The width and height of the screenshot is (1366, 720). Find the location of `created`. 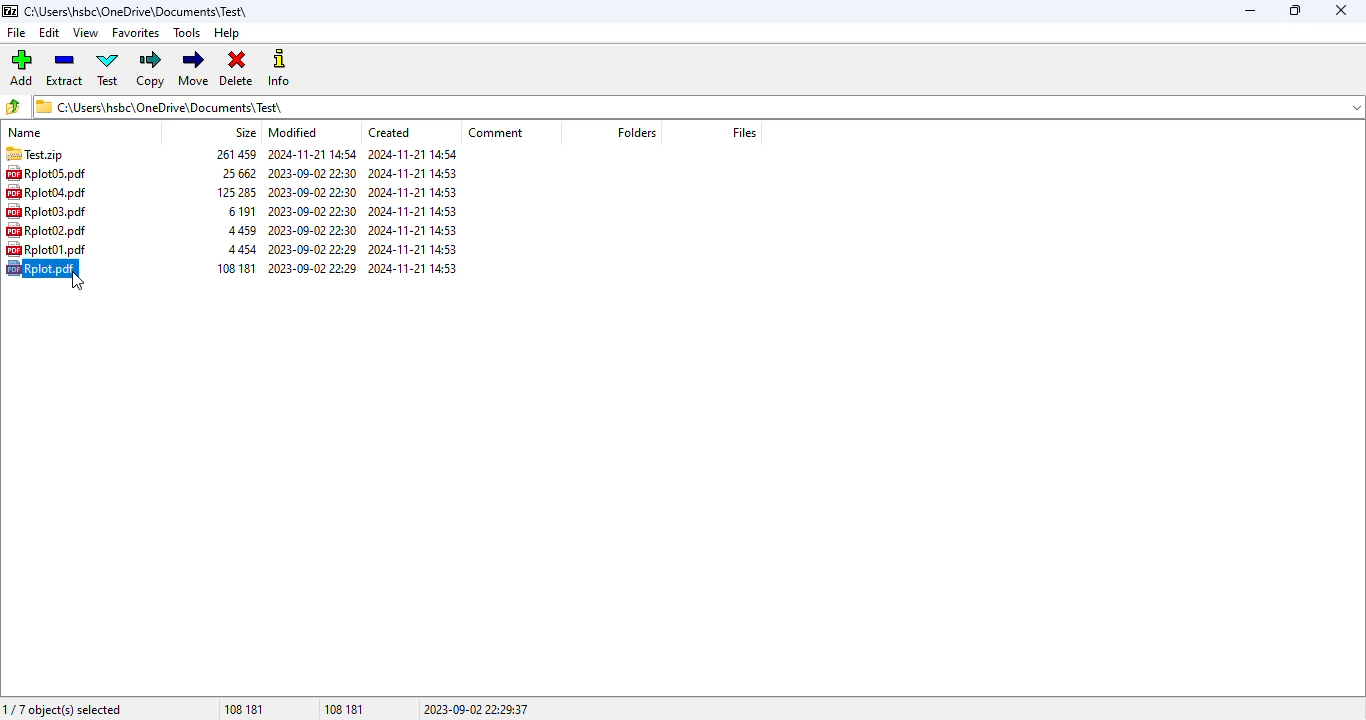

created is located at coordinates (392, 132).